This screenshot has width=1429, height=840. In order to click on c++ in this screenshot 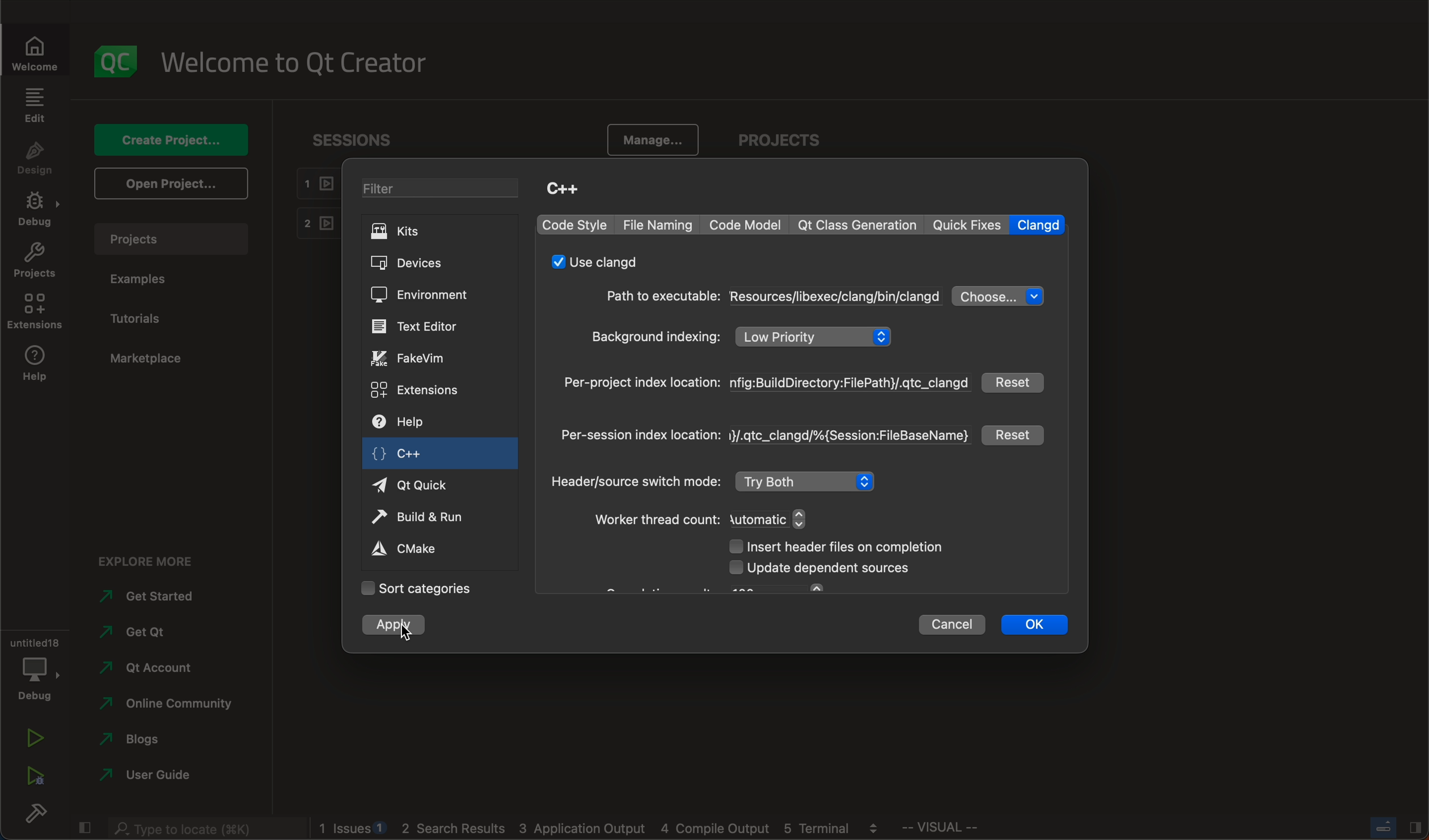, I will do `click(438, 452)`.